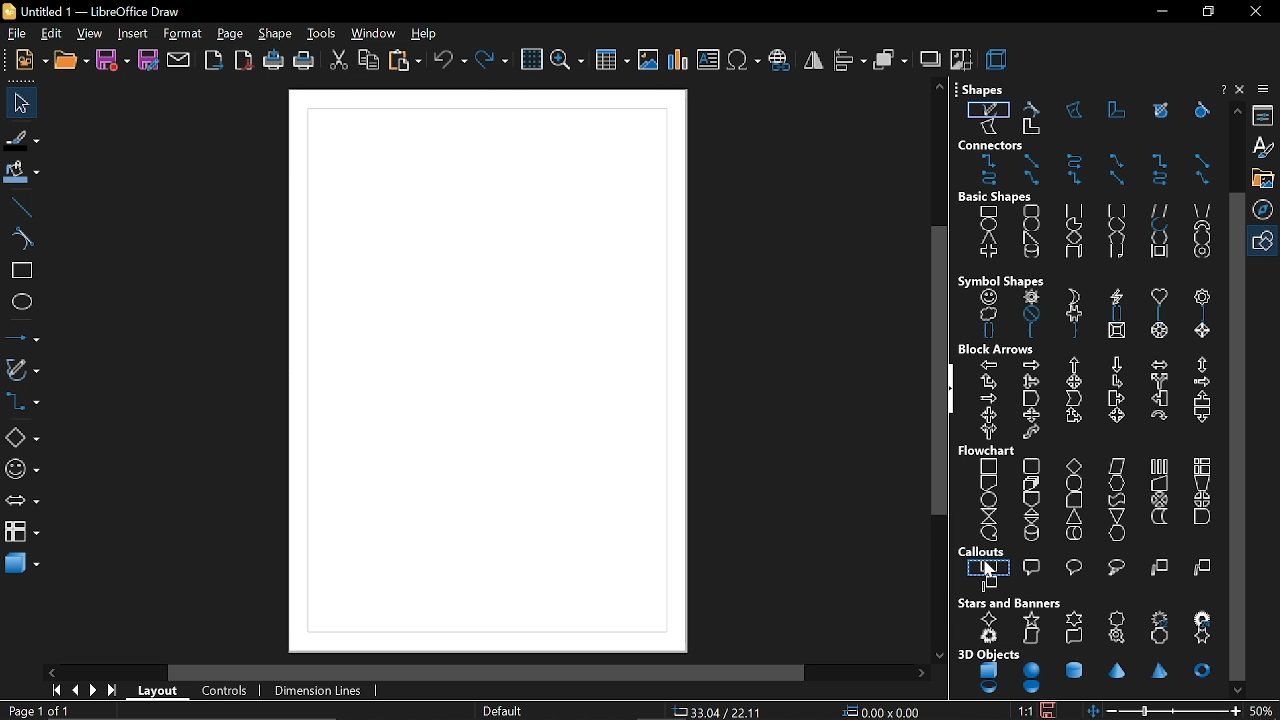  What do you see at coordinates (1222, 88) in the screenshot?
I see `help` at bounding box center [1222, 88].